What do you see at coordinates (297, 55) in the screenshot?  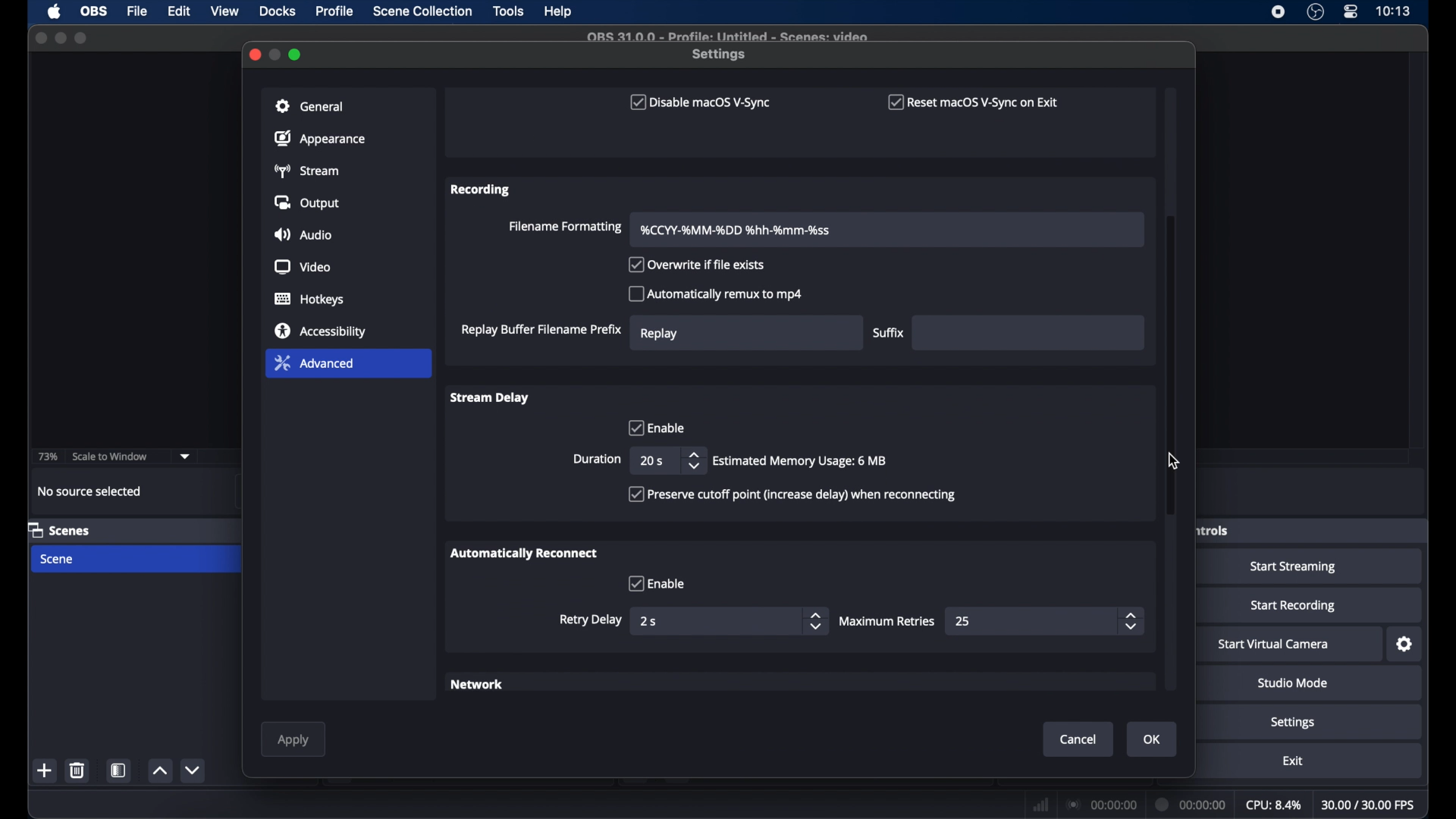 I see `maximize` at bounding box center [297, 55].